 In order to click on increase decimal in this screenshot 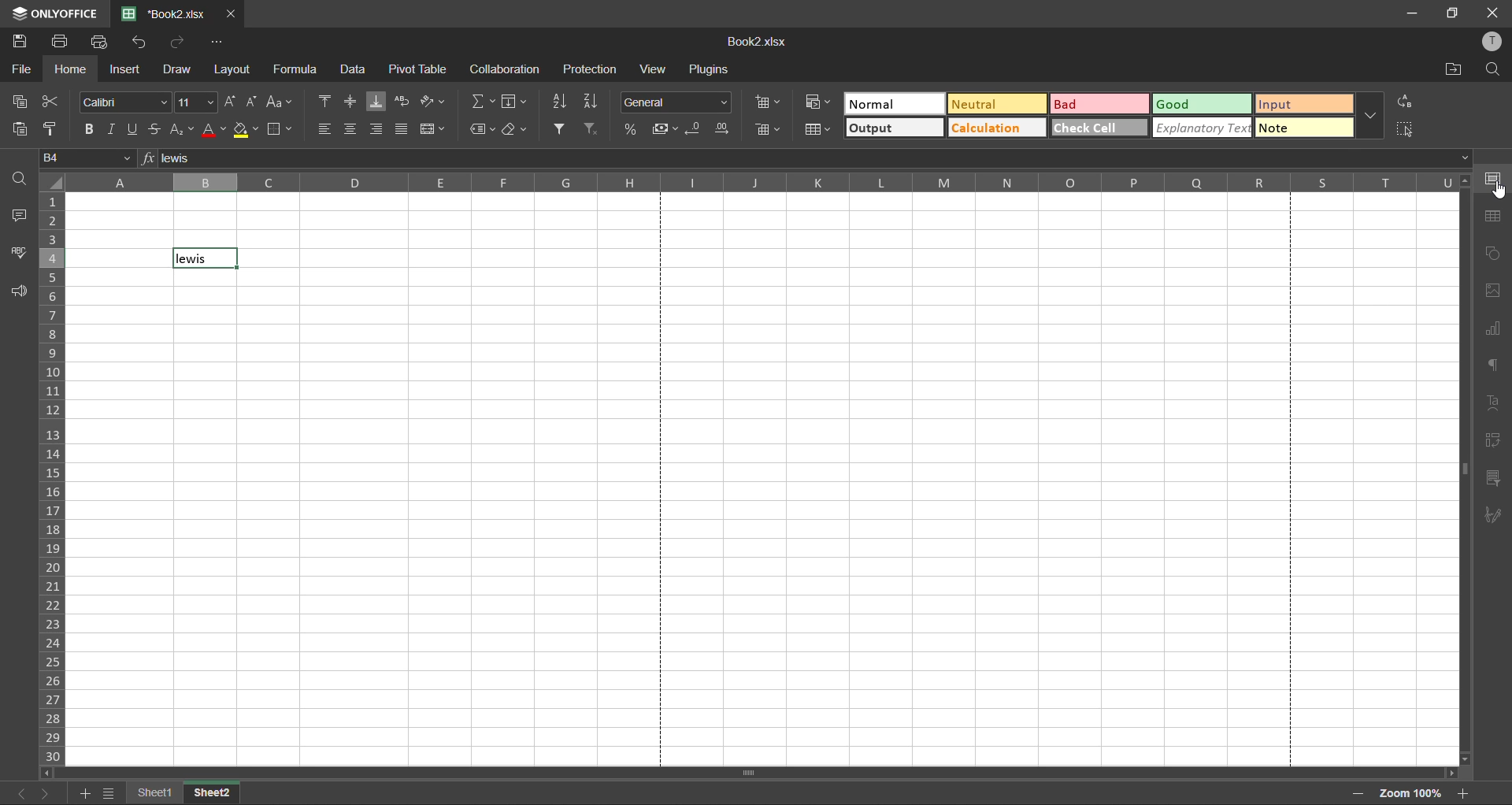, I will do `click(721, 129)`.